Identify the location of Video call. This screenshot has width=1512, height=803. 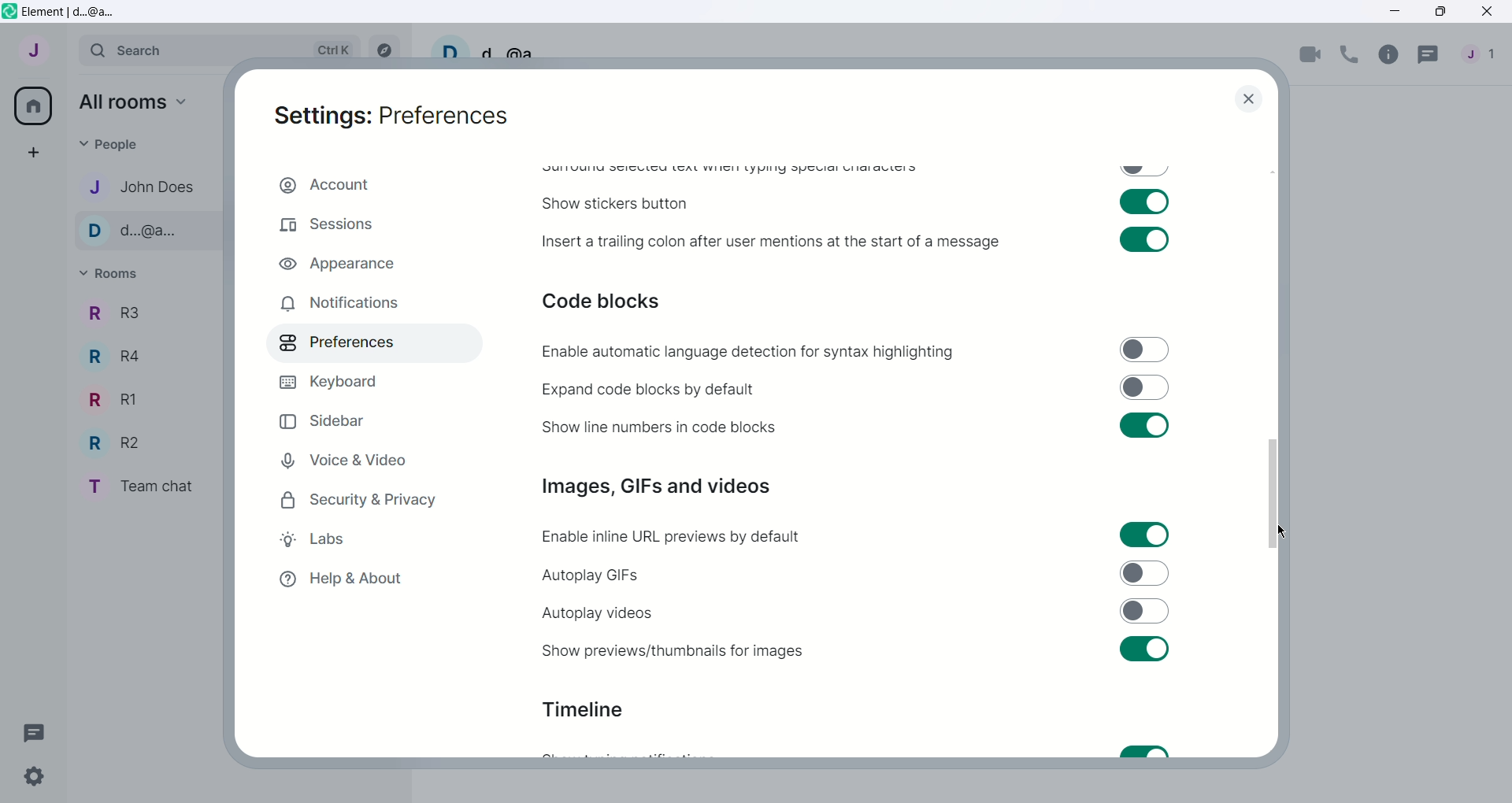
(1310, 56).